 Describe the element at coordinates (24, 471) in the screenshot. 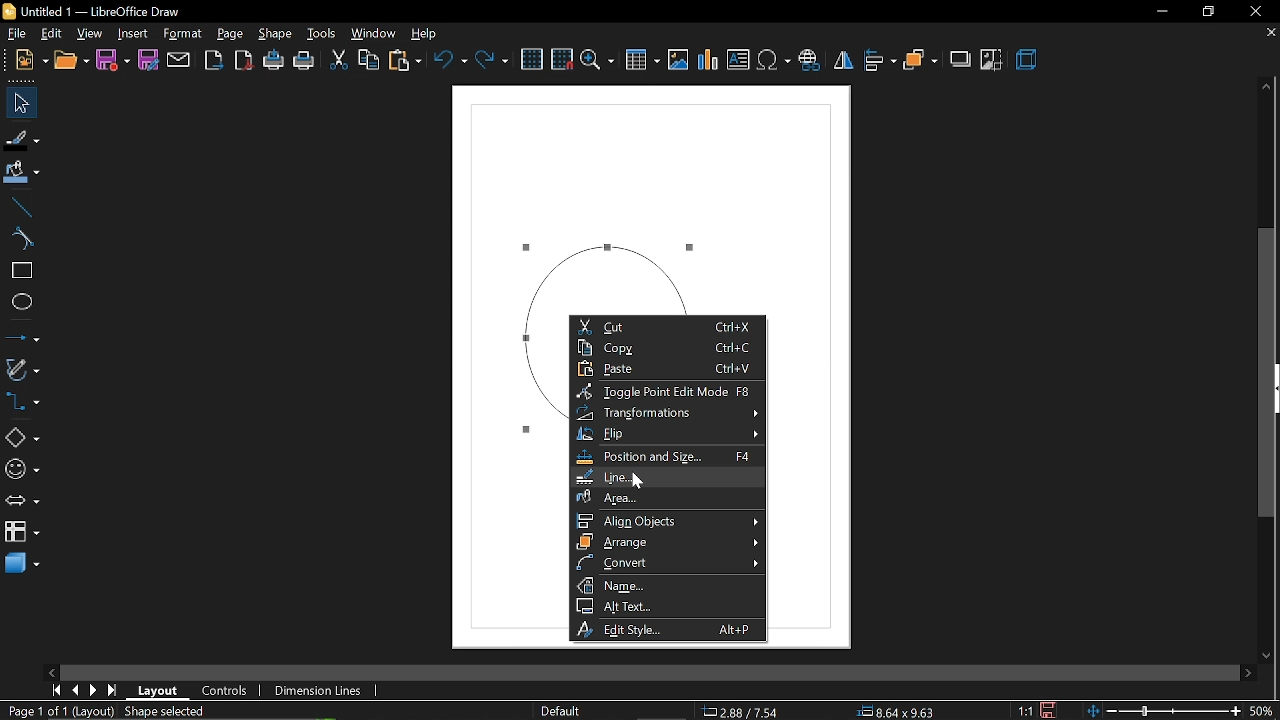

I see ` symbol shapes` at that location.